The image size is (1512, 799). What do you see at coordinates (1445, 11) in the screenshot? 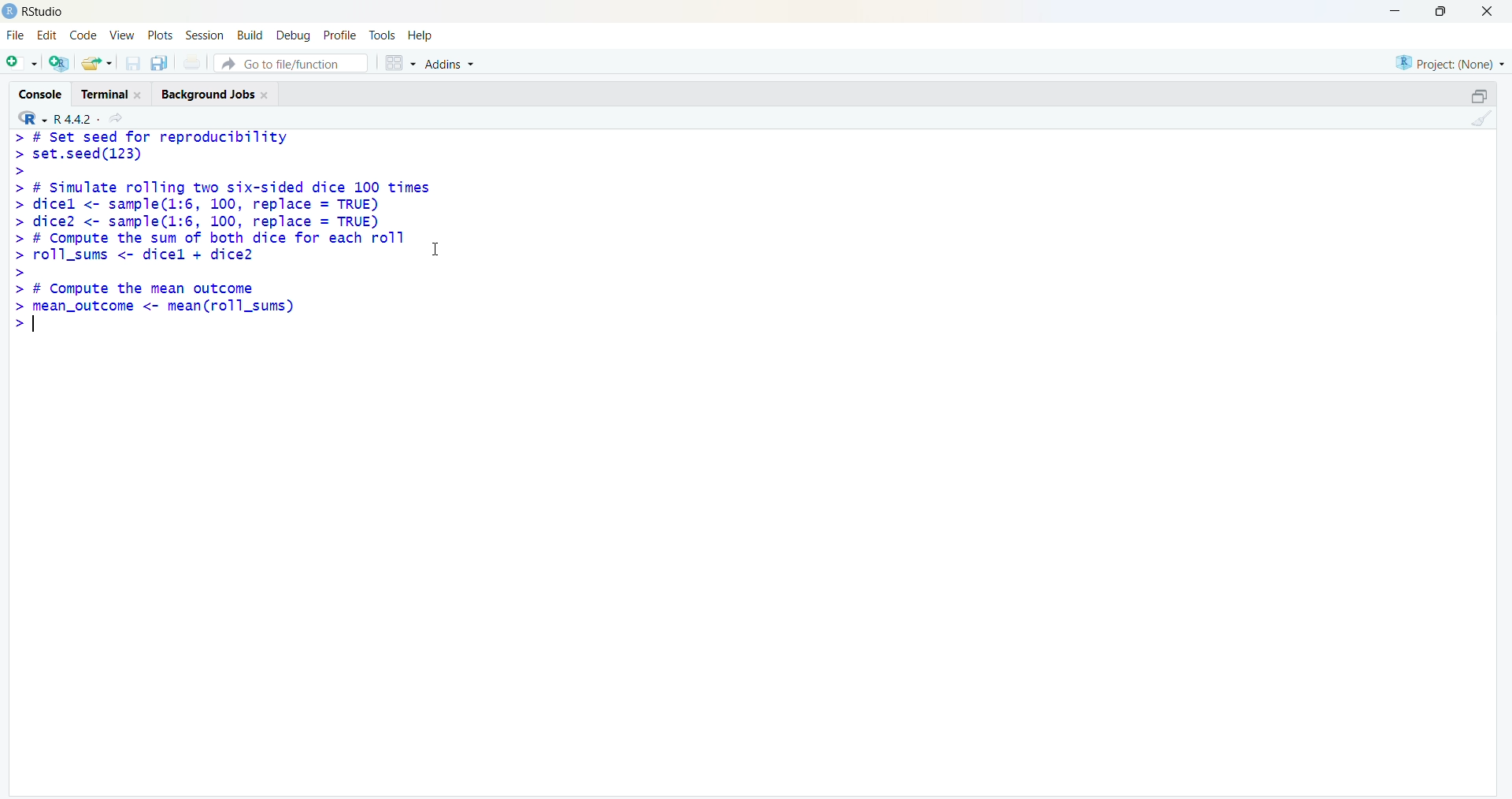
I see `maximise` at bounding box center [1445, 11].